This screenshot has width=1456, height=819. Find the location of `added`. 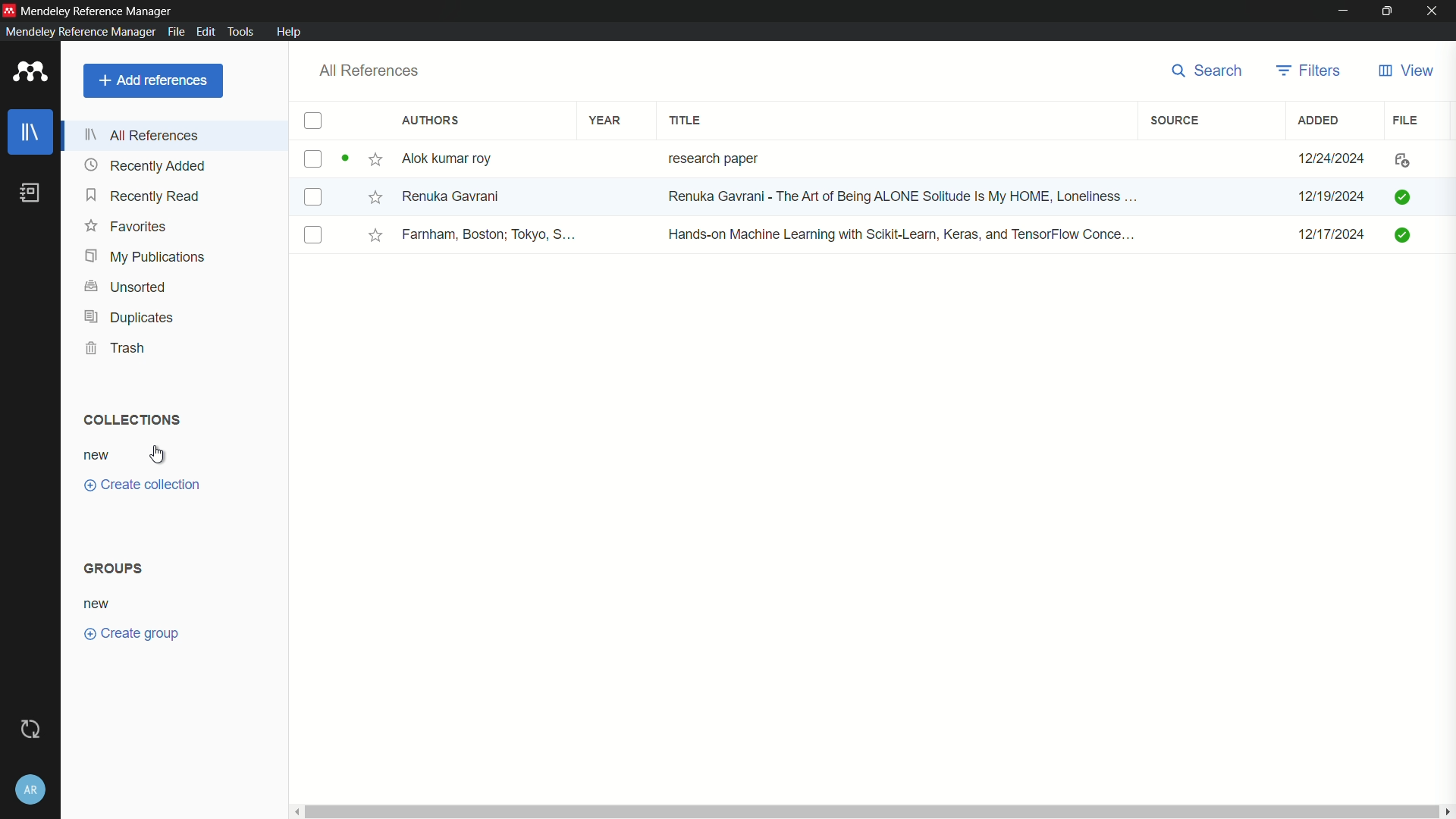

added is located at coordinates (1319, 121).